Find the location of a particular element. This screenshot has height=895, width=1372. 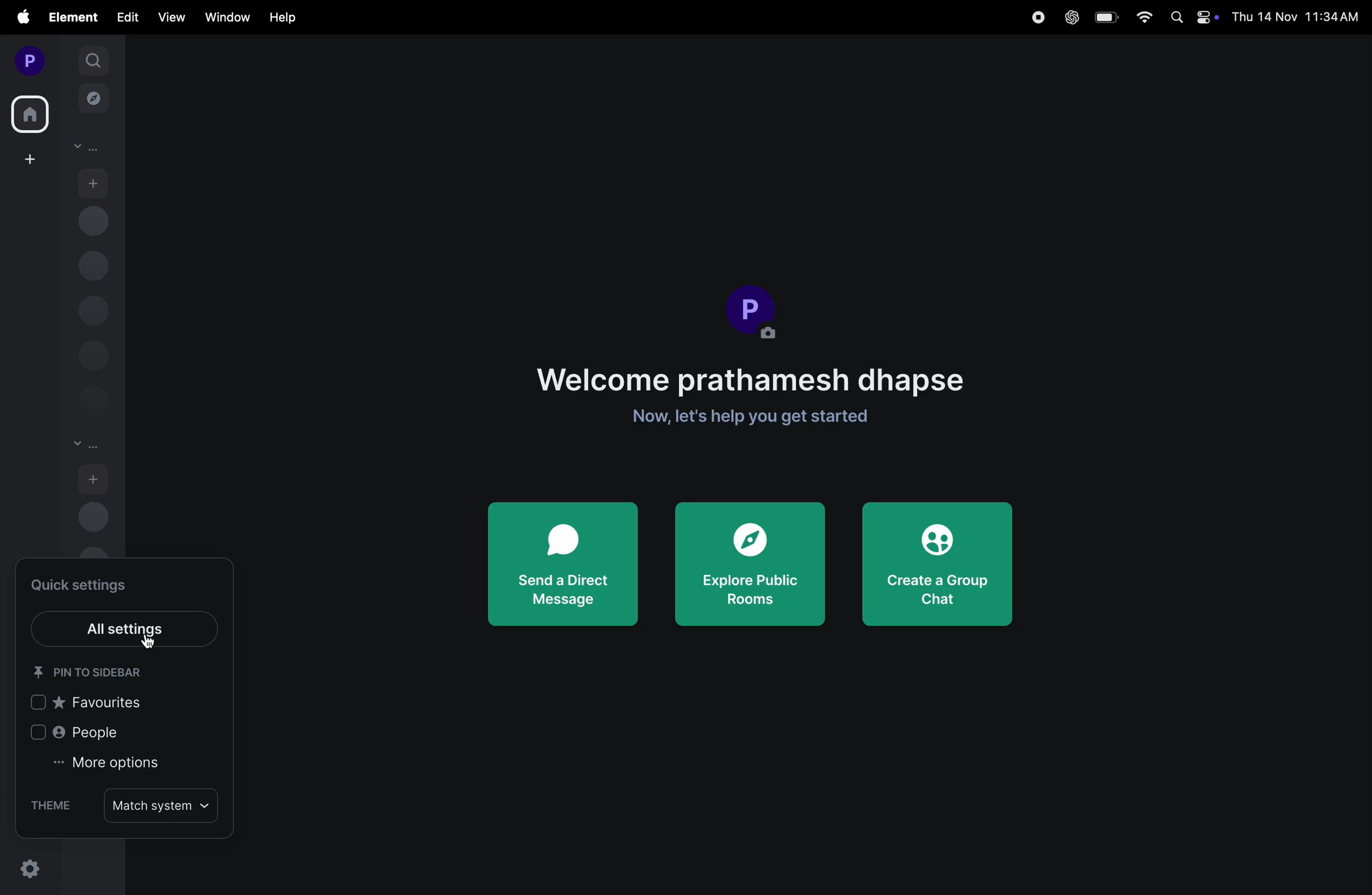

pin to searchbar is located at coordinates (96, 673).